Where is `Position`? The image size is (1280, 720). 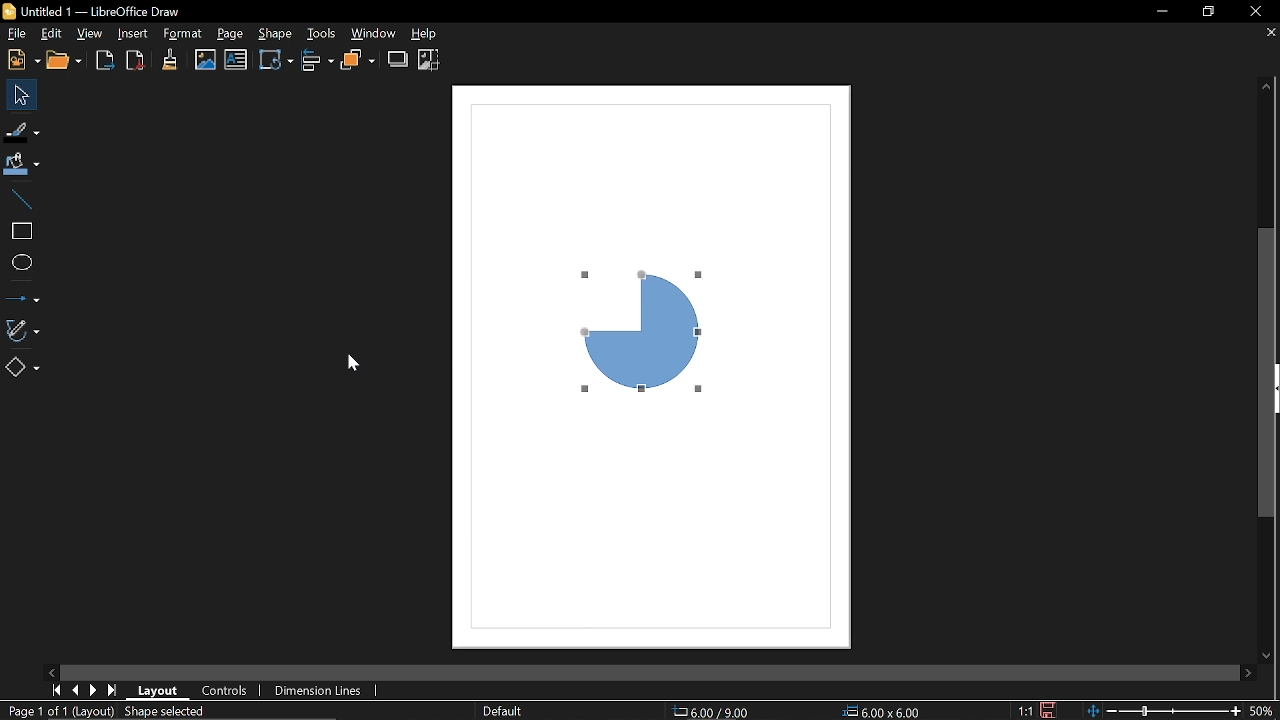 Position is located at coordinates (712, 712).